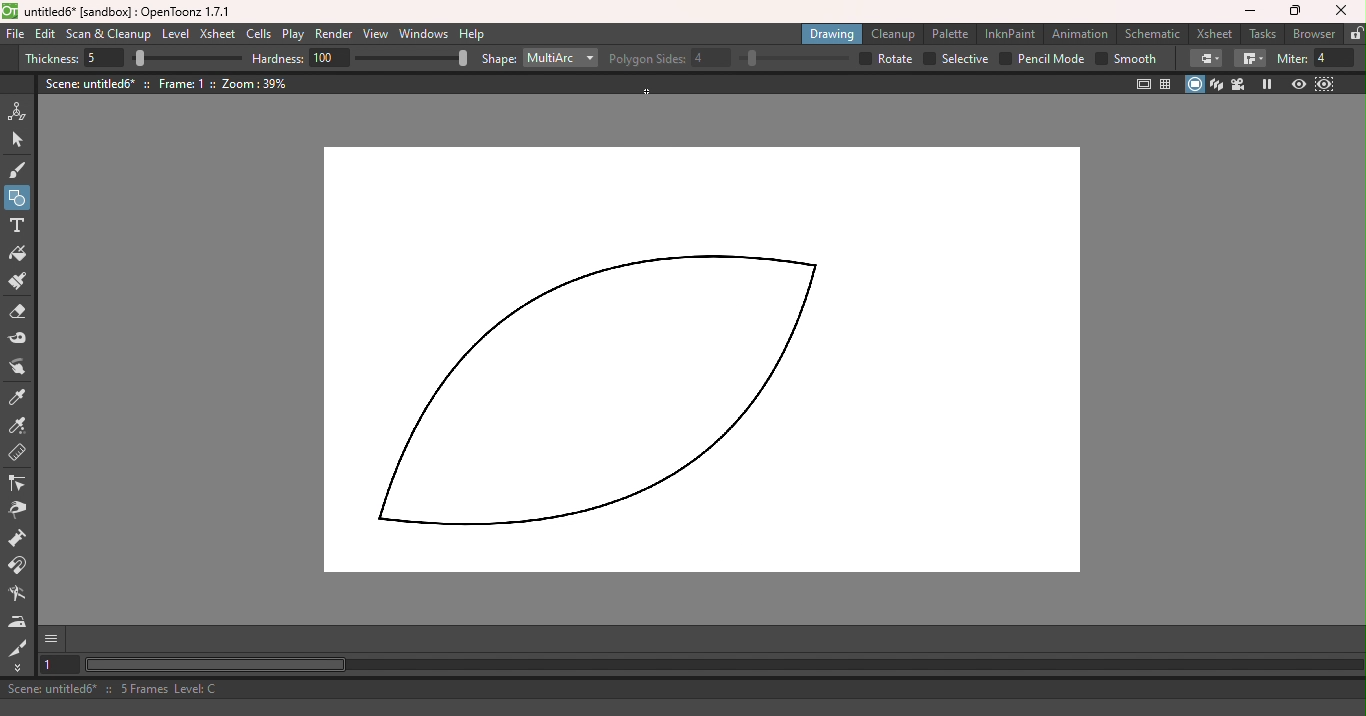 The image size is (1366, 716). What do you see at coordinates (167, 83) in the screenshot?
I see `Scene: untitled6* :: Frame: 1 :: Zoom: 39%` at bounding box center [167, 83].